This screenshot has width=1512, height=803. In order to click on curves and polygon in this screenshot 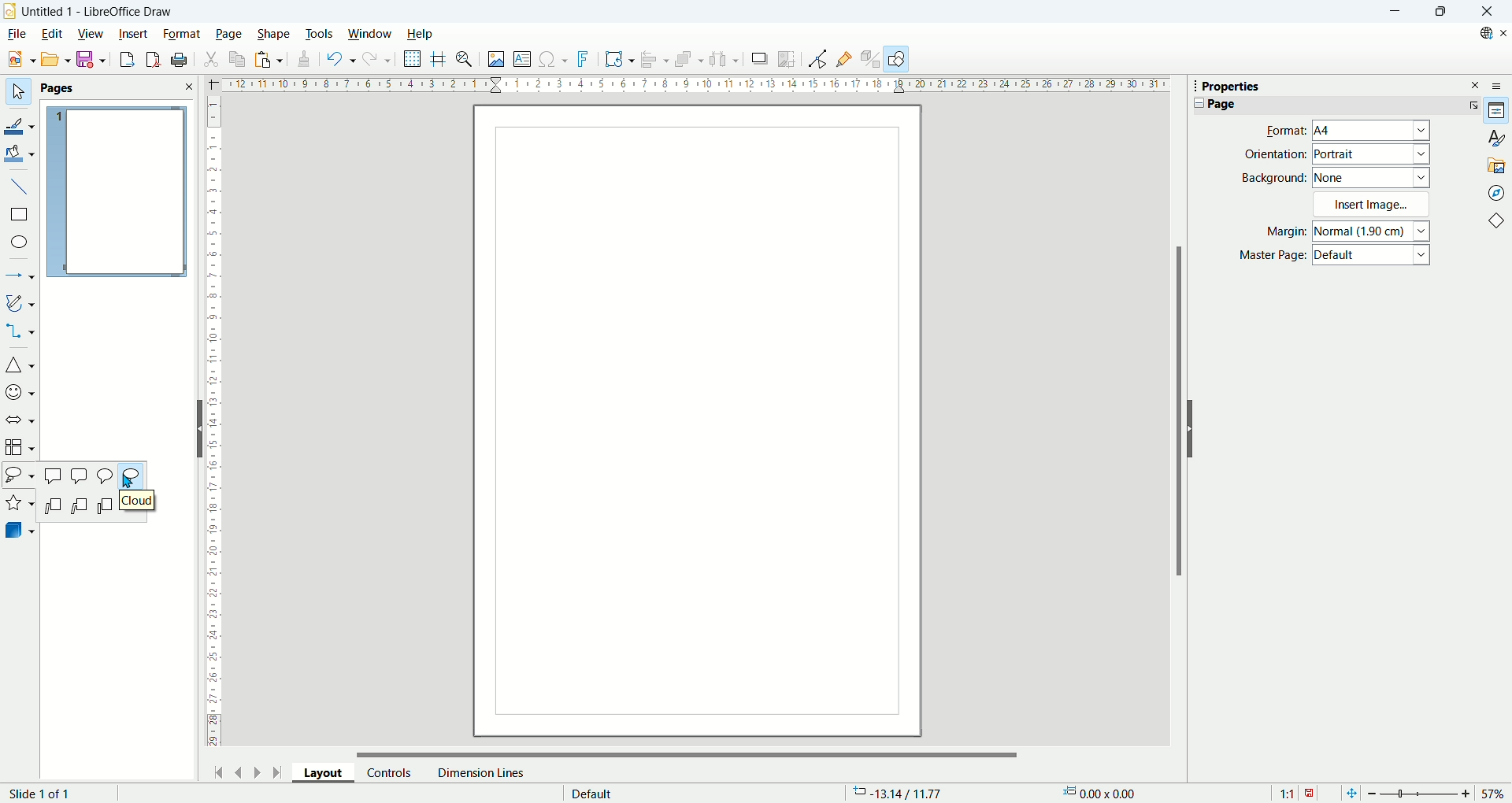, I will do `click(20, 303)`.